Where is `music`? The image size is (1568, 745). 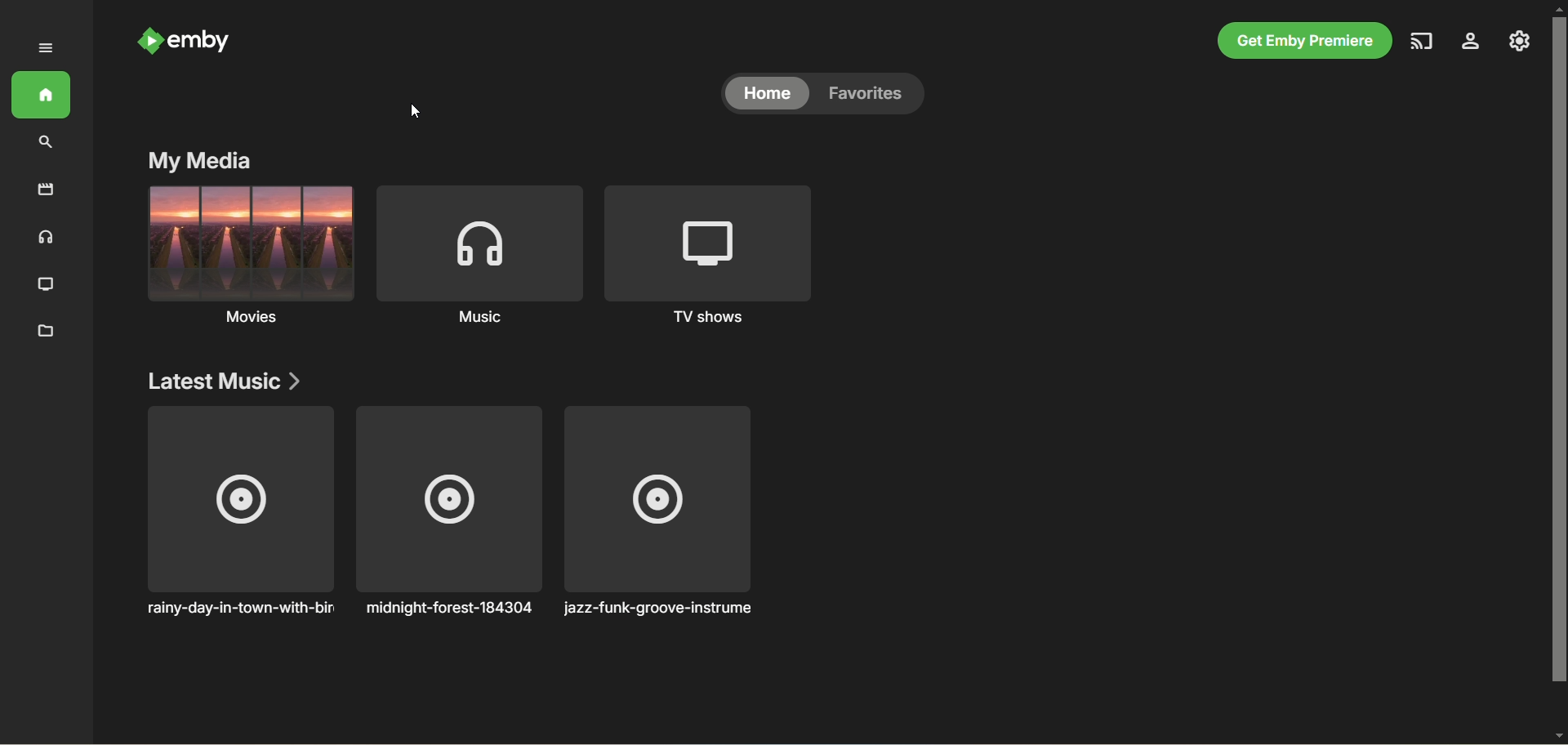
music is located at coordinates (42, 237).